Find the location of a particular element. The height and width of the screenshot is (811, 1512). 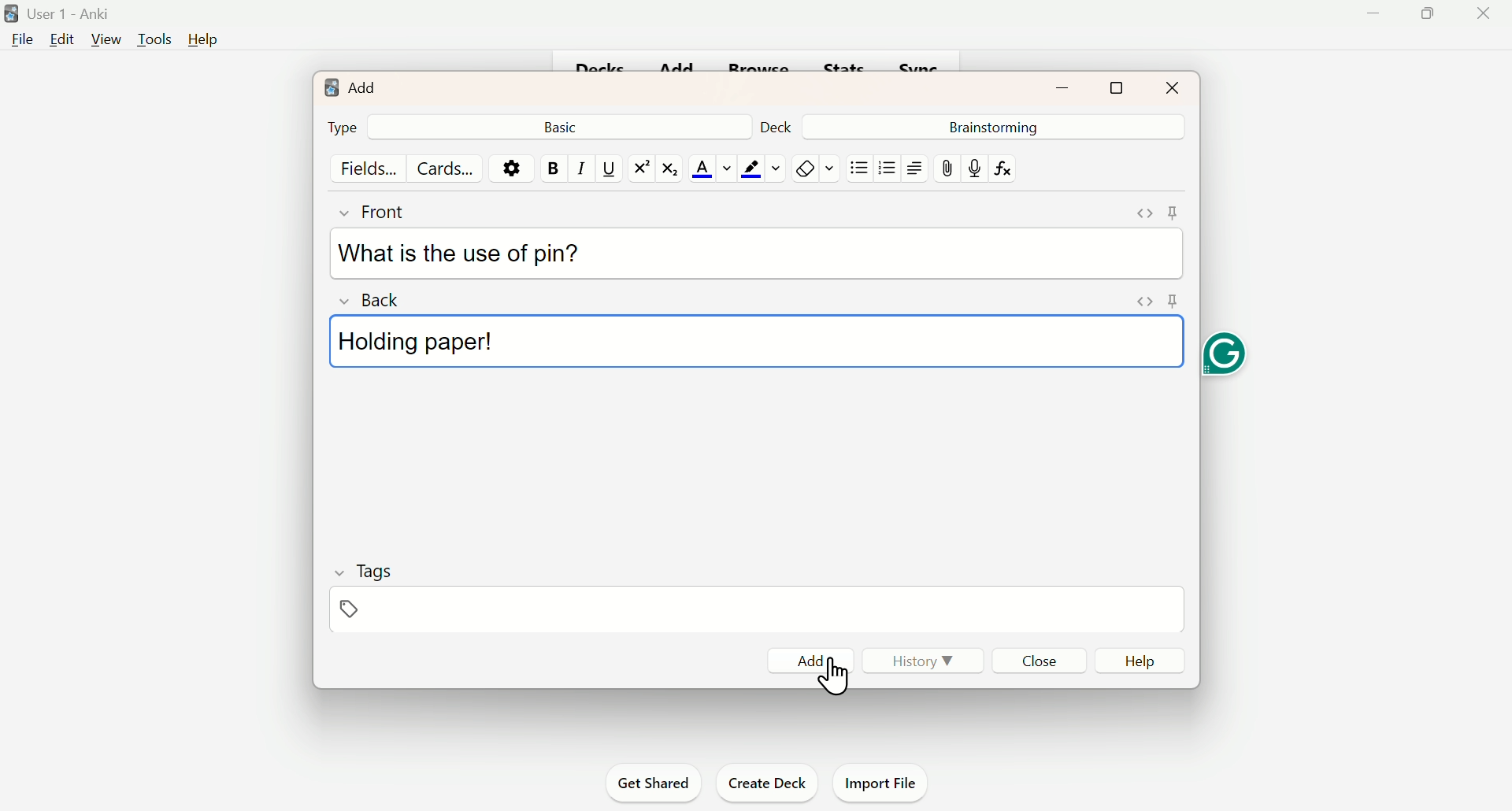

 is located at coordinates (943, 167).